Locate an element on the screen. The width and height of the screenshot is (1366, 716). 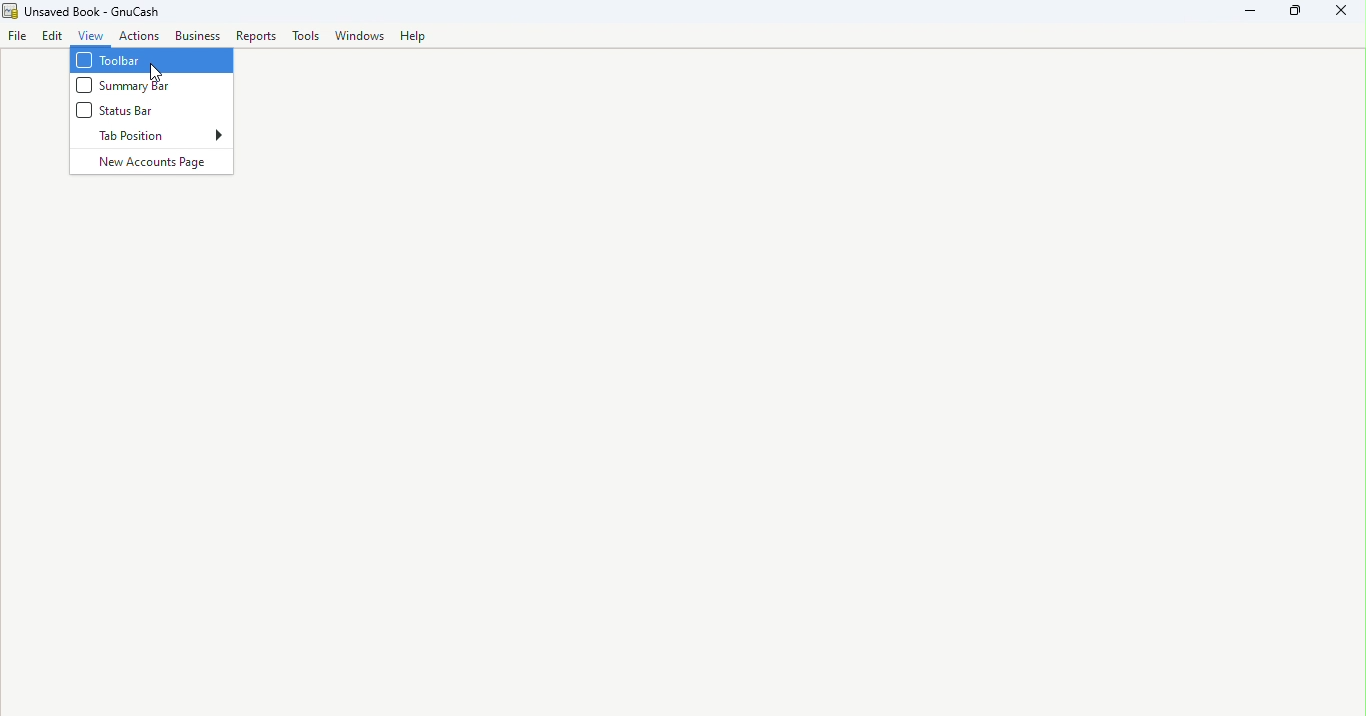
Business is located at coordinates (200, 37).